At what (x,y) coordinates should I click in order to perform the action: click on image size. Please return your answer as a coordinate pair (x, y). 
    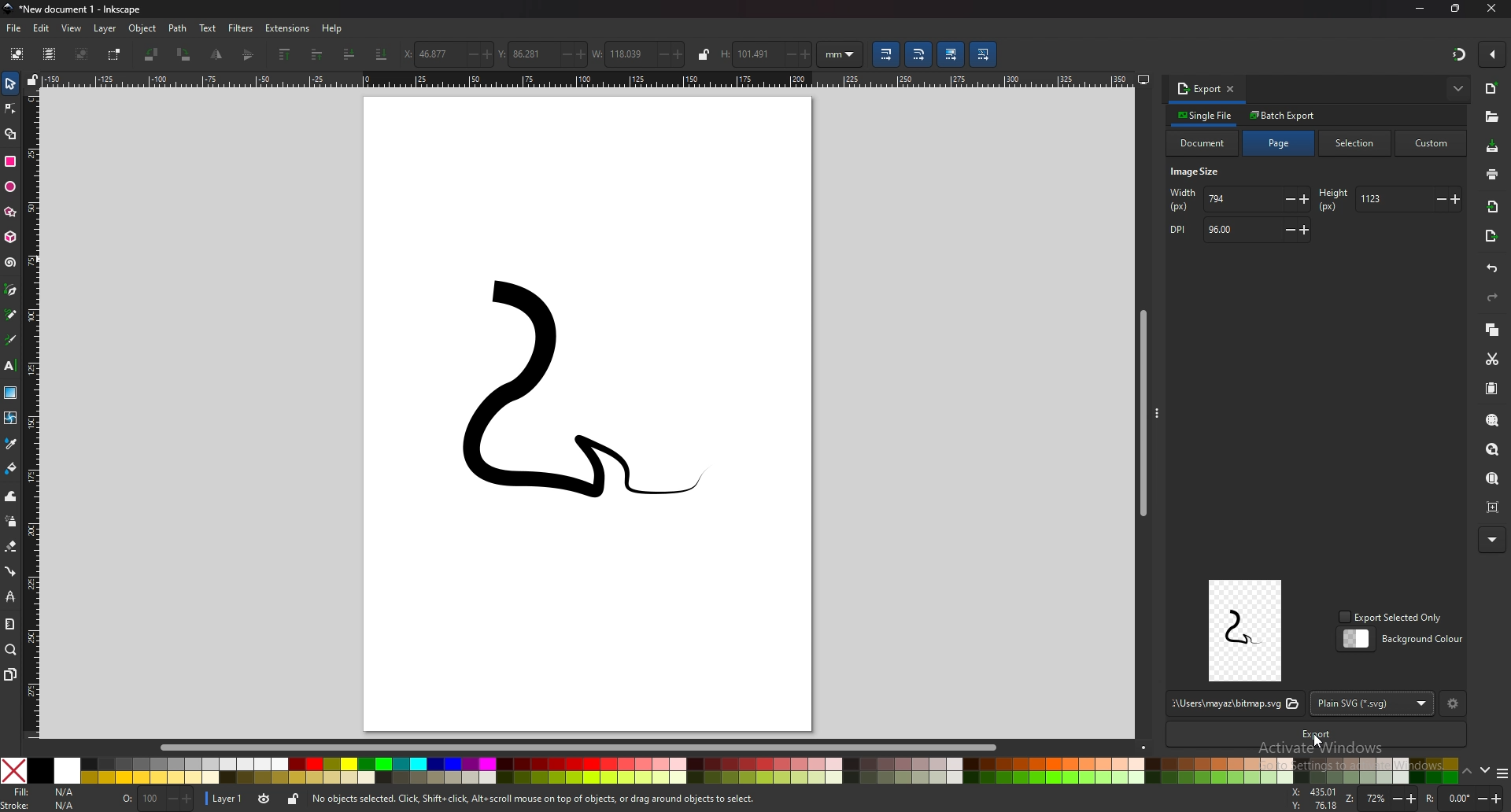
    Looking at the image, I should click on (1199, 173).